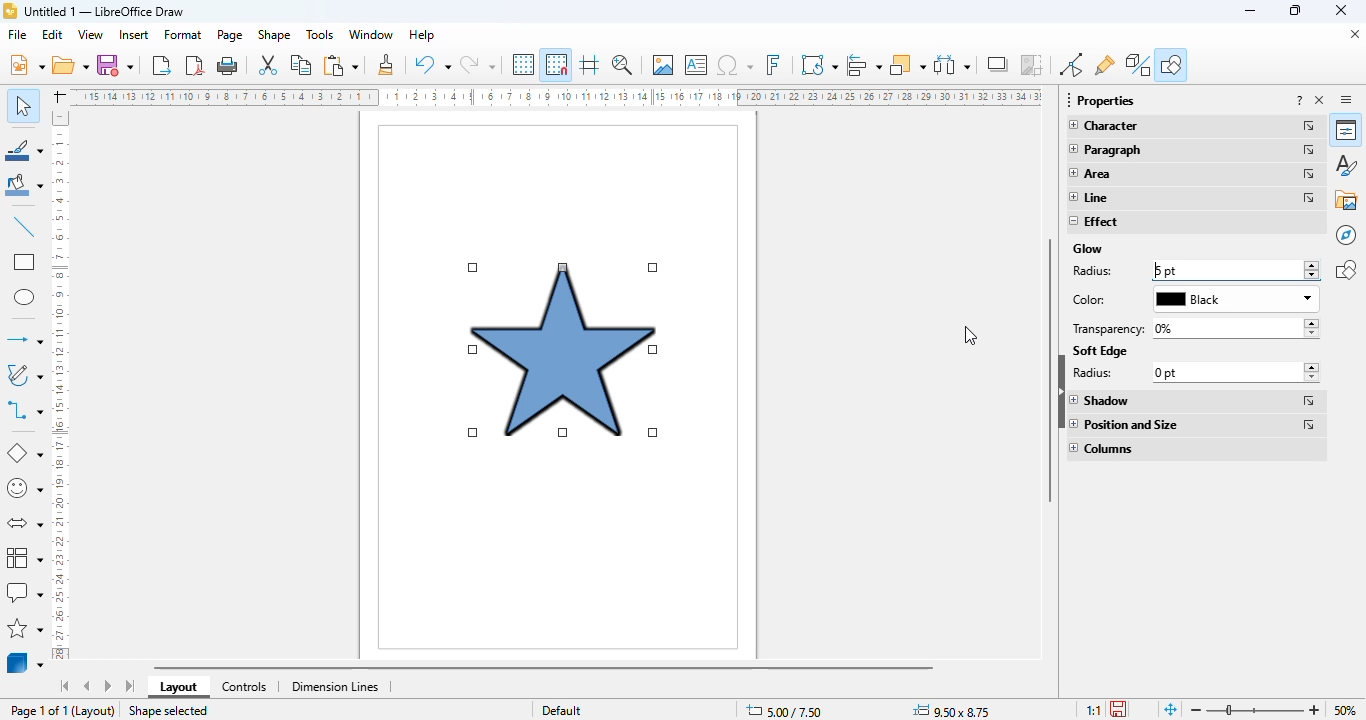  What do you see at coordinates (39, 710) in the screenshot?
I see `page 1 of 1` at bounding box center [39, 710].